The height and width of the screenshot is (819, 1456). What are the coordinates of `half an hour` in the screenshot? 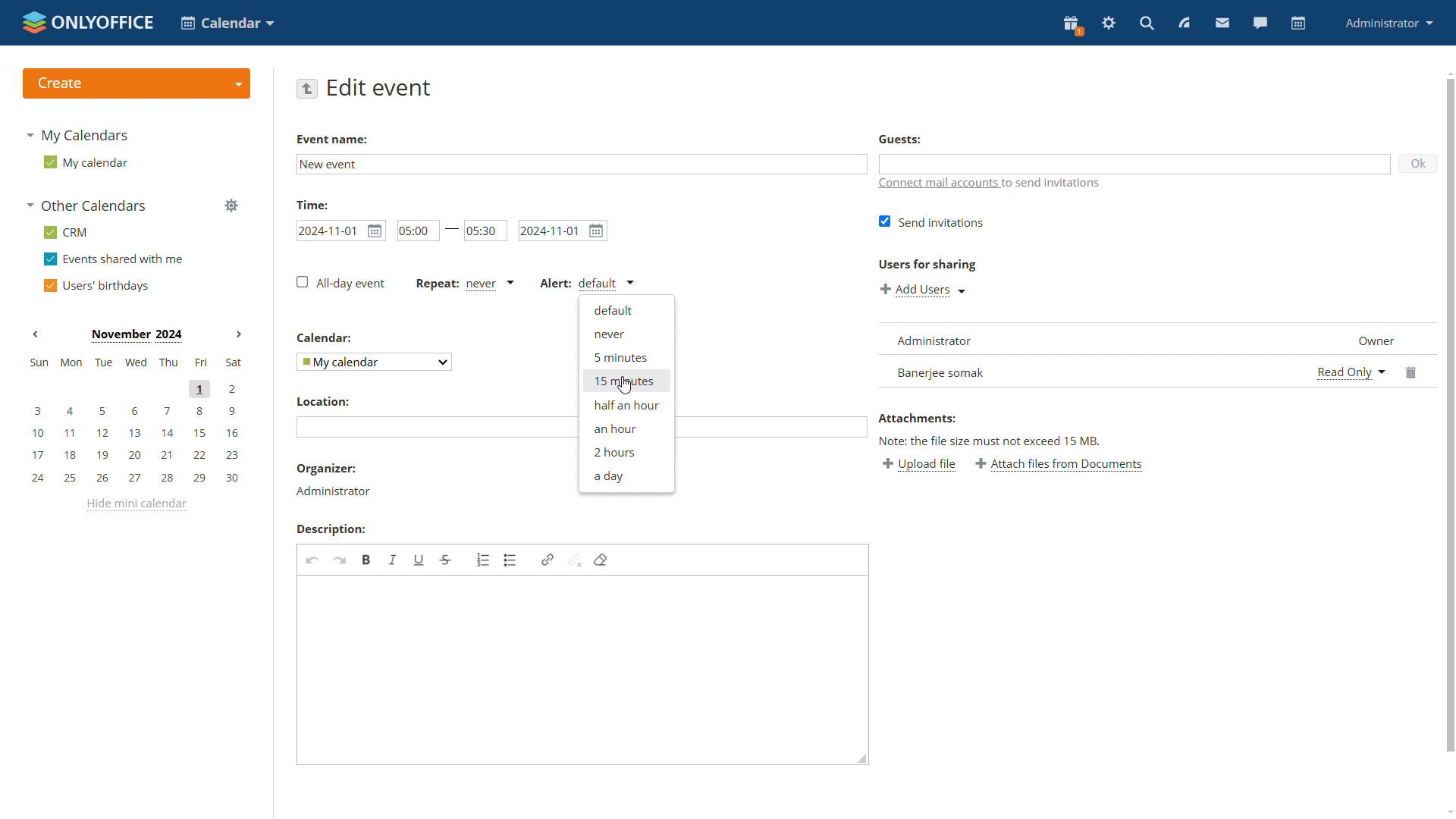 It's located at (626, 405).